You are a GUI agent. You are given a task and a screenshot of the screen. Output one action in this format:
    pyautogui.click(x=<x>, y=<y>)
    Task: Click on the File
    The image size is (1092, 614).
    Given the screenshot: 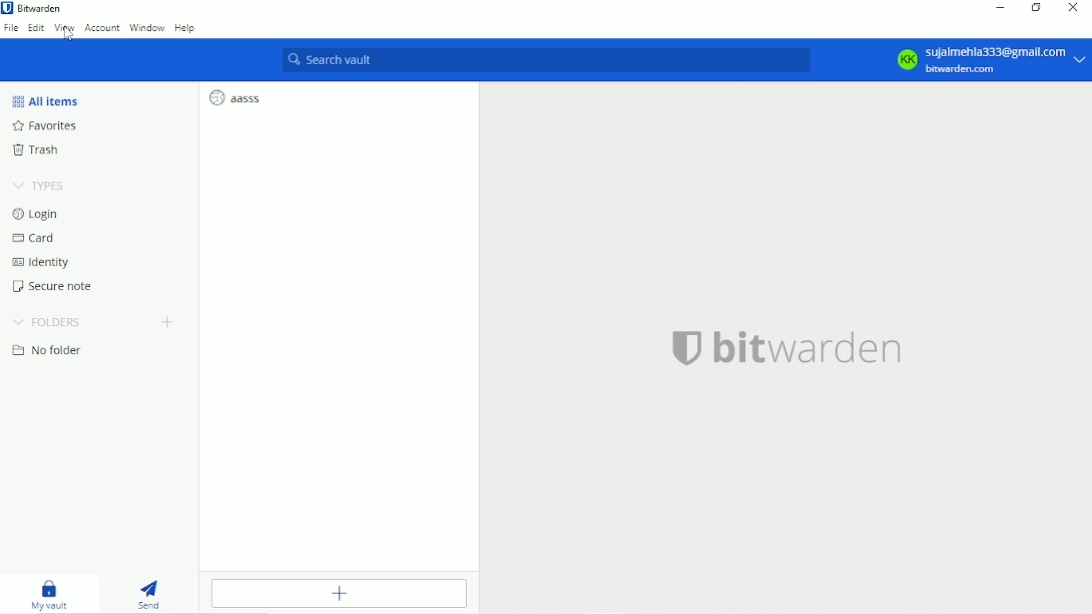 What is the action you would take?
    pyautogui.click(x=12, y=29)
    